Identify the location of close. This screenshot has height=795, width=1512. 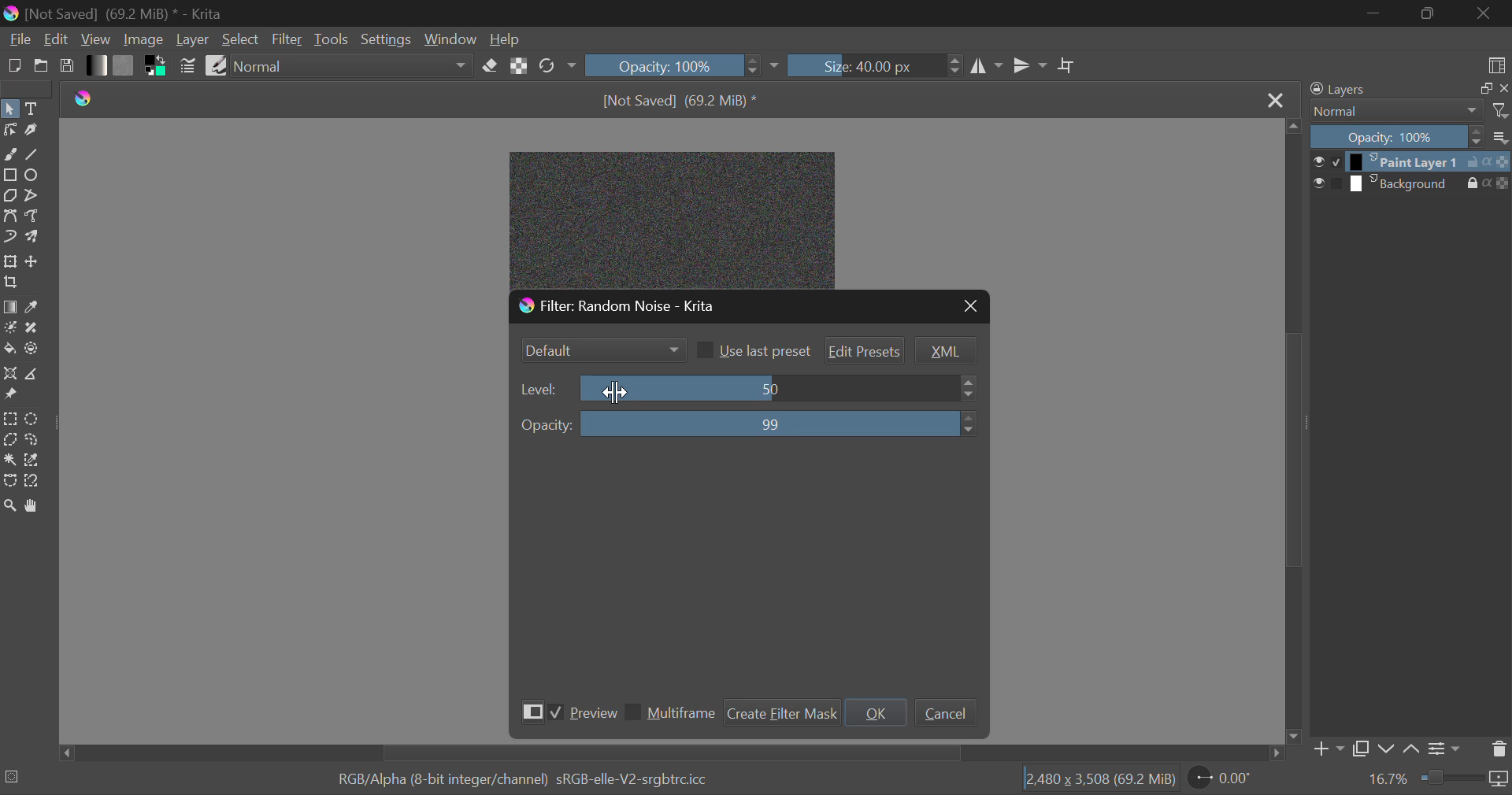
(1503, 89).